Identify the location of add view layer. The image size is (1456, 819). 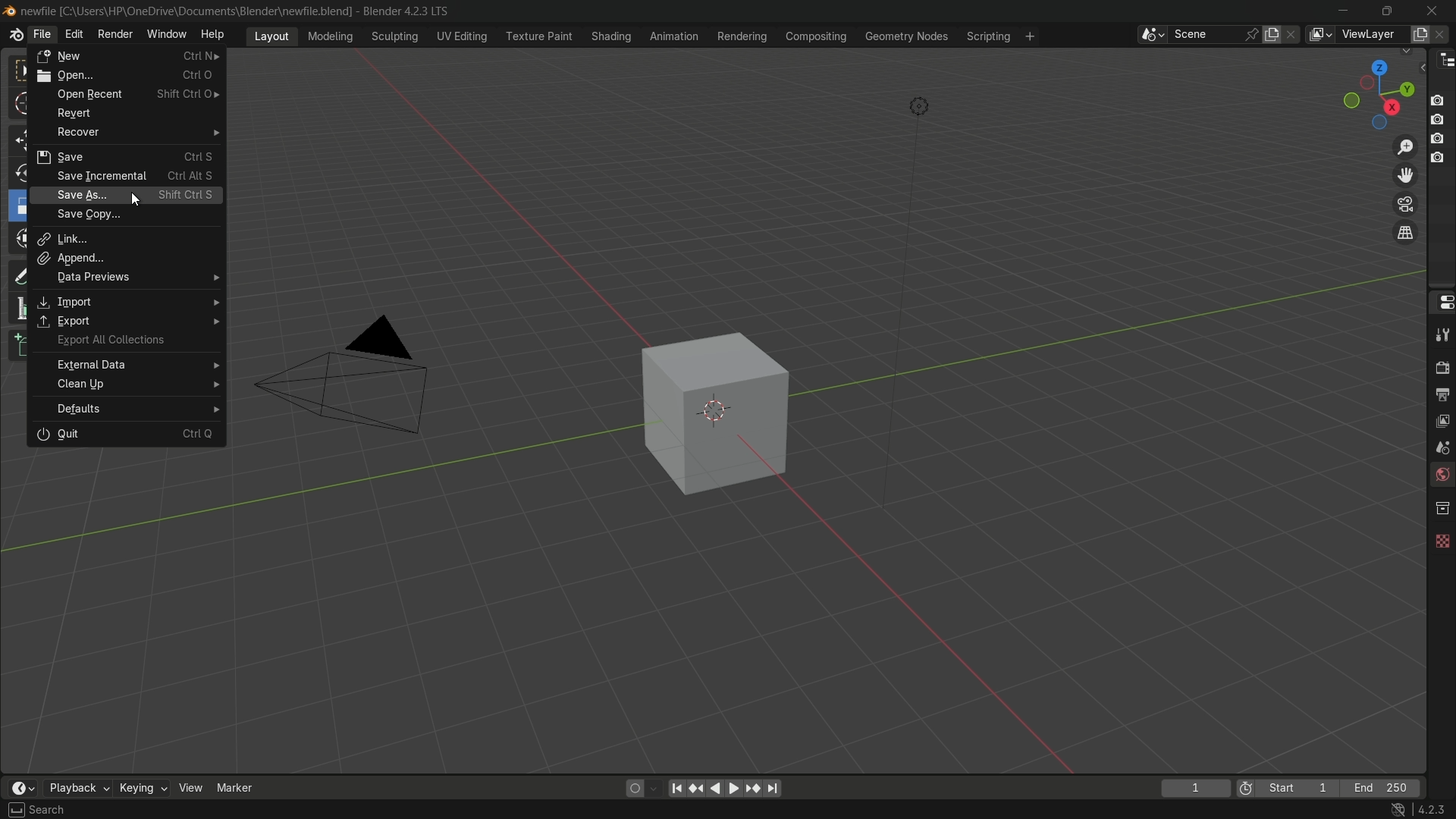
(1418, 33).